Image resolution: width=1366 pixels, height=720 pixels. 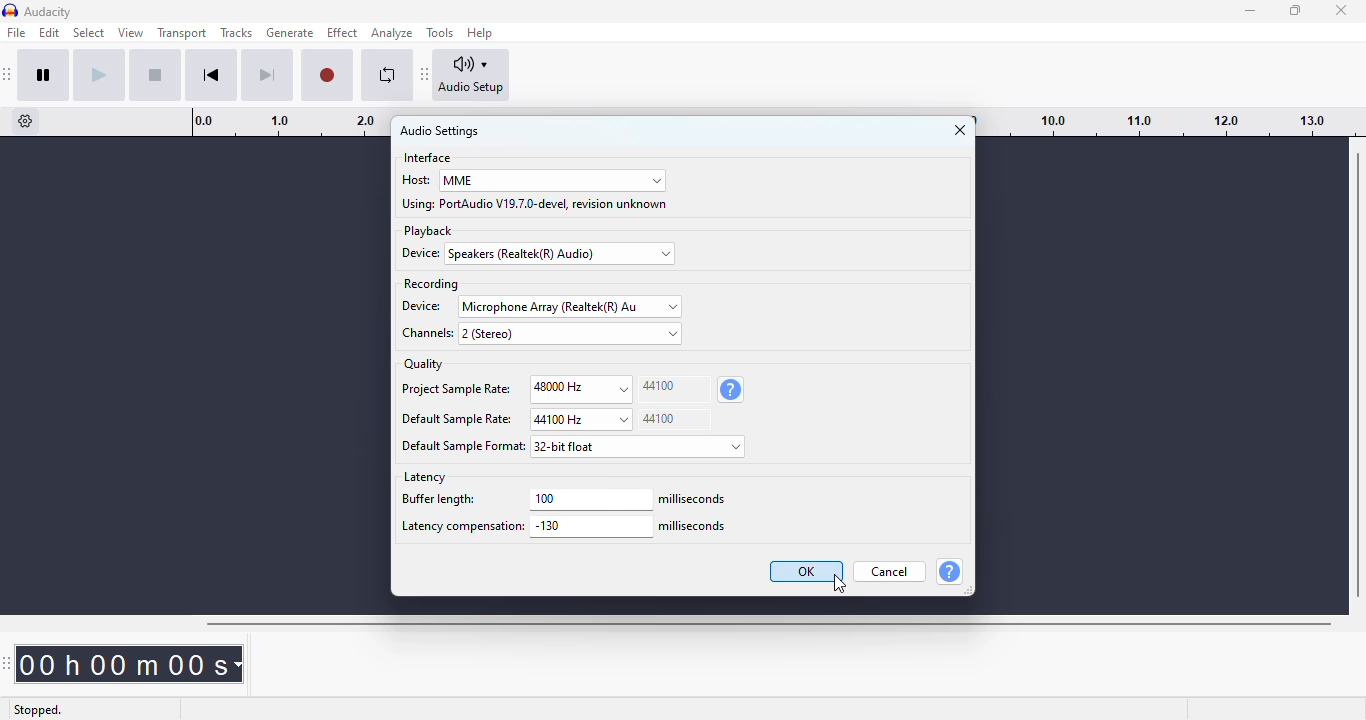 What do you see at coordinates (211, 75) in the screenshot?
I see `skip to start` at bounding box center [211, 75].